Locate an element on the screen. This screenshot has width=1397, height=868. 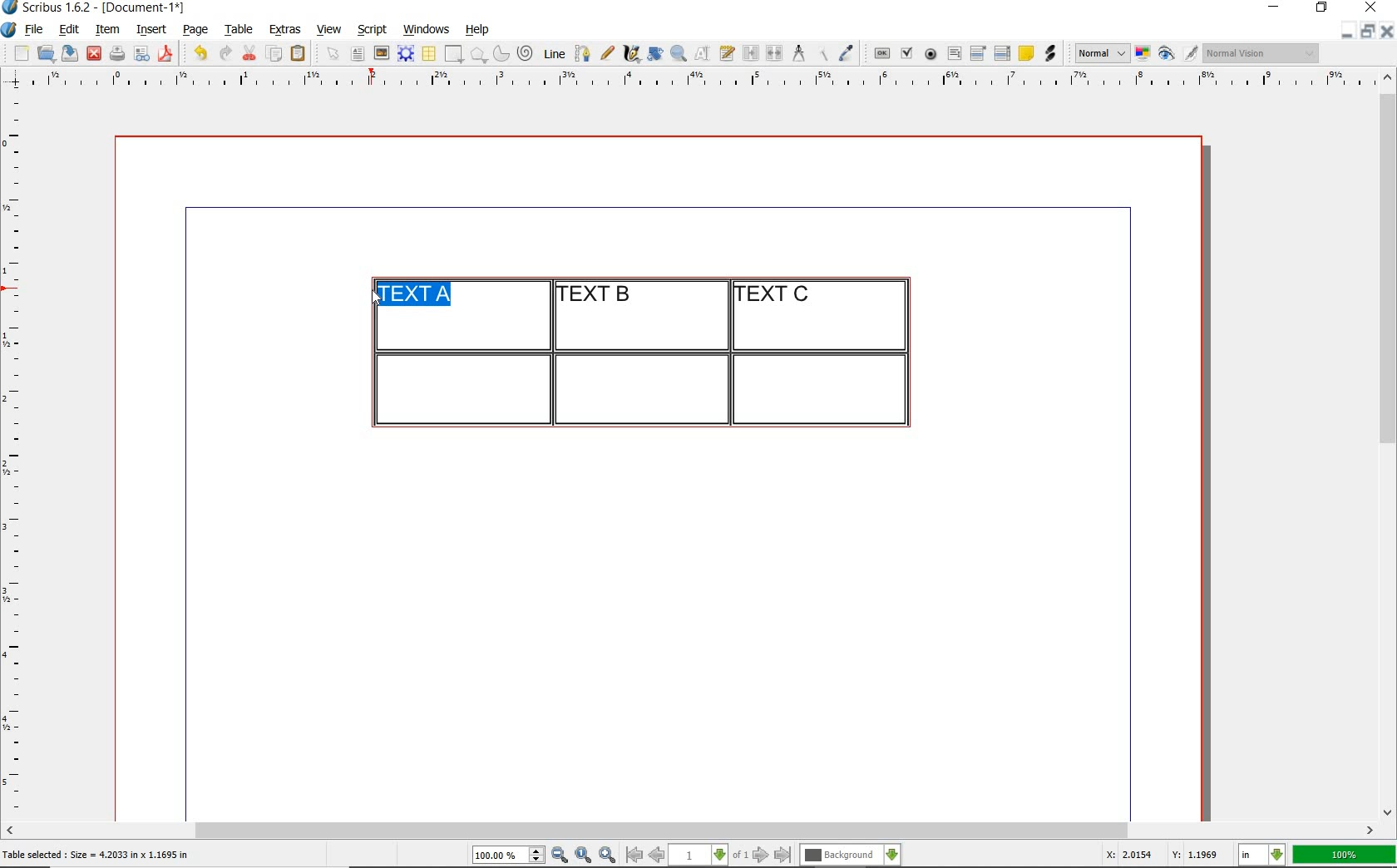
scrollbar is located at coordinates (1389, 443).